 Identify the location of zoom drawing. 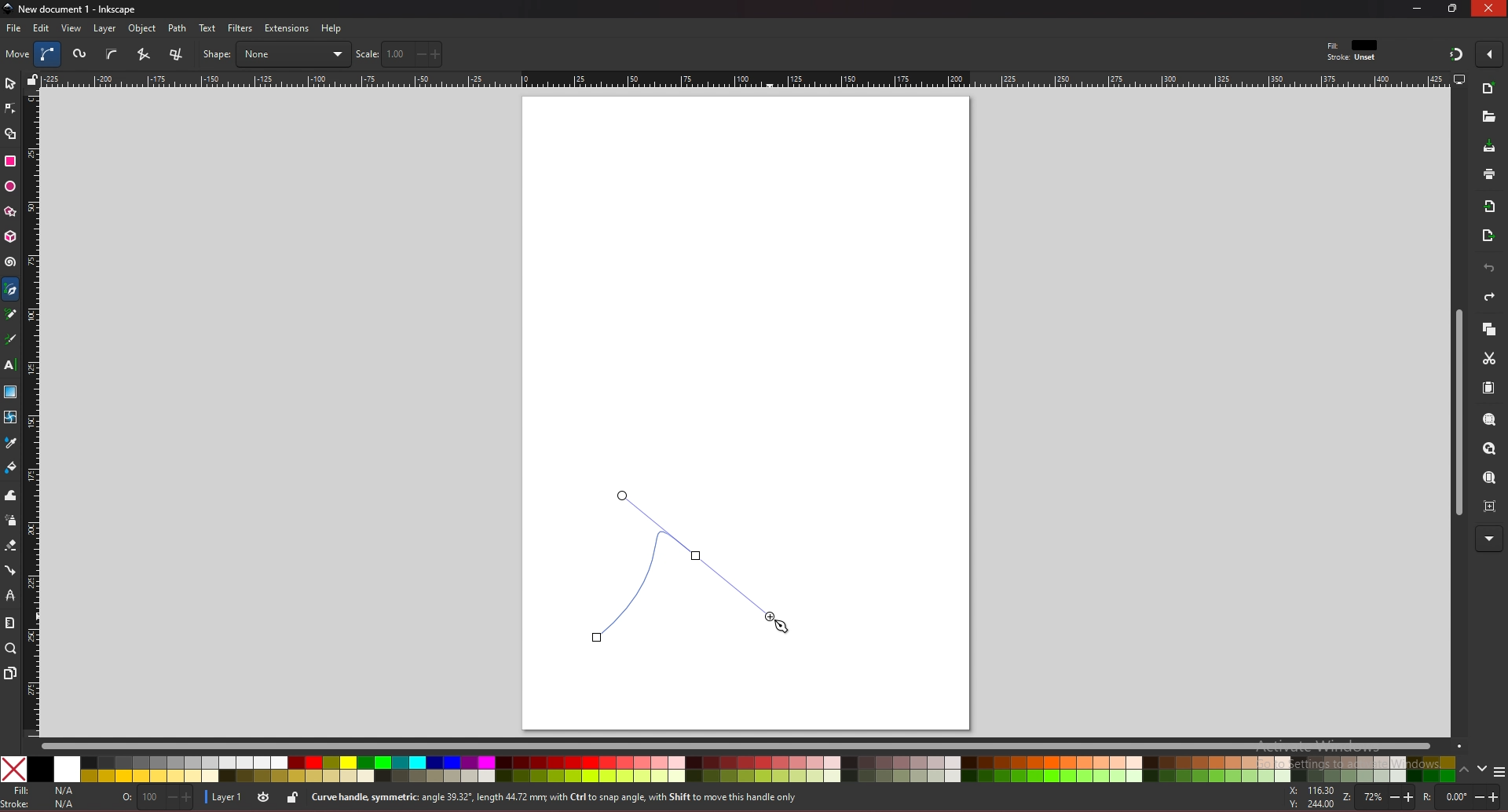
(1488, 449).